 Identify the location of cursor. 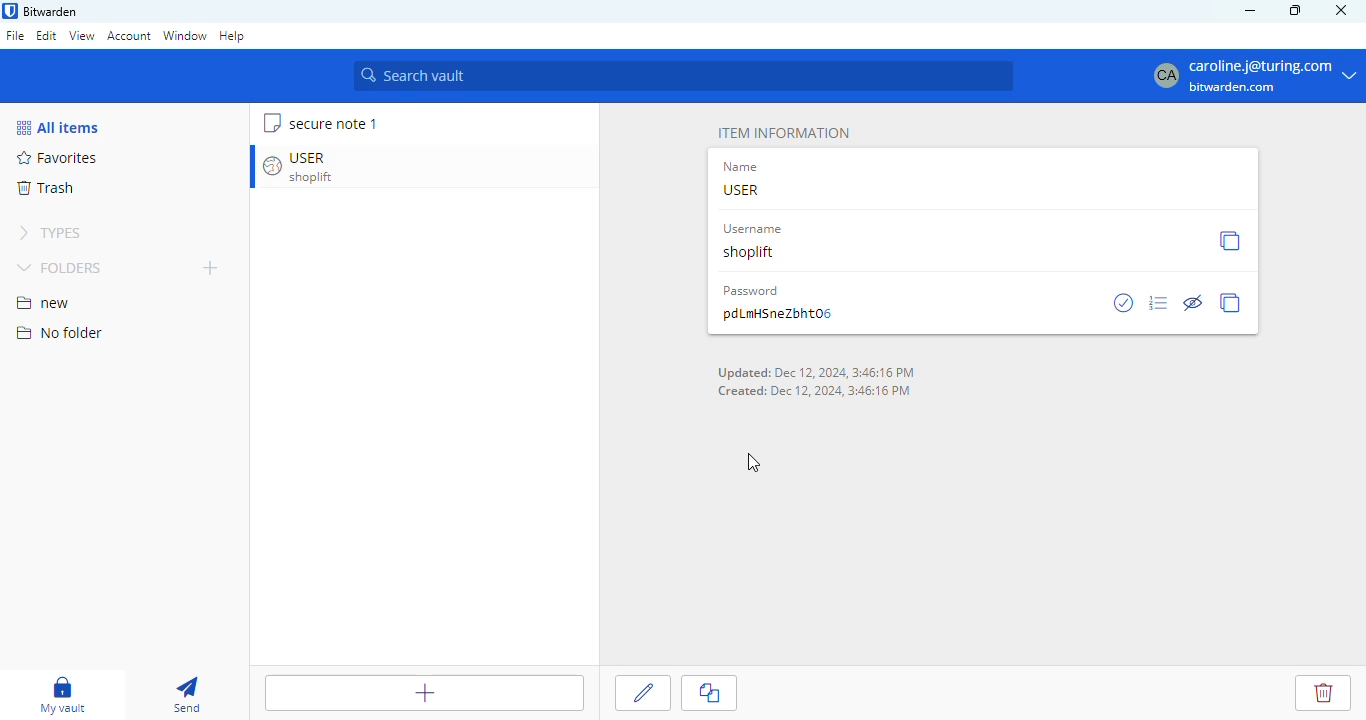
(748, 465).